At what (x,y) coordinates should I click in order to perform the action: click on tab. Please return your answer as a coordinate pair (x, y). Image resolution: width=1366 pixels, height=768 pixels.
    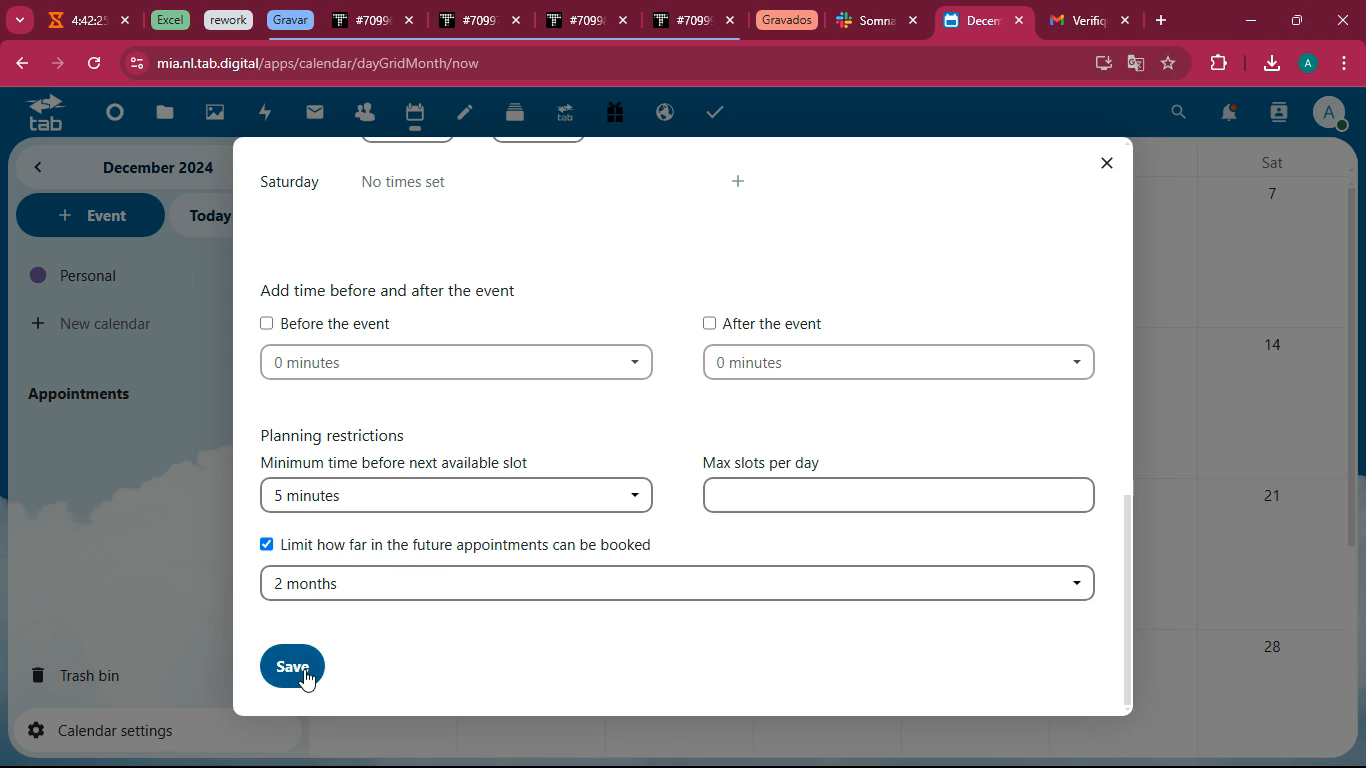
    Looking at the image, I should click on (866, 23).